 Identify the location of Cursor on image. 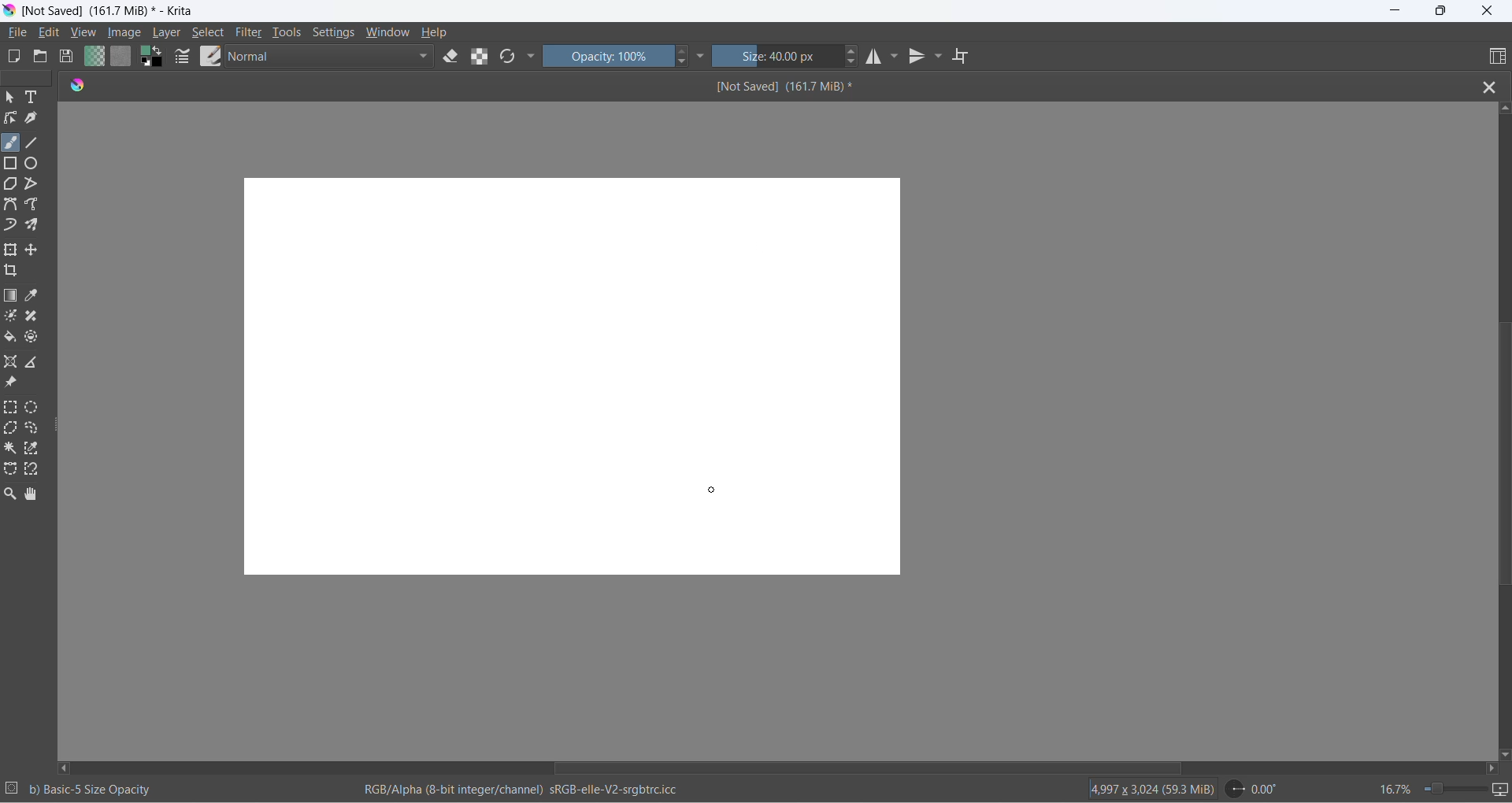
(129, 33).